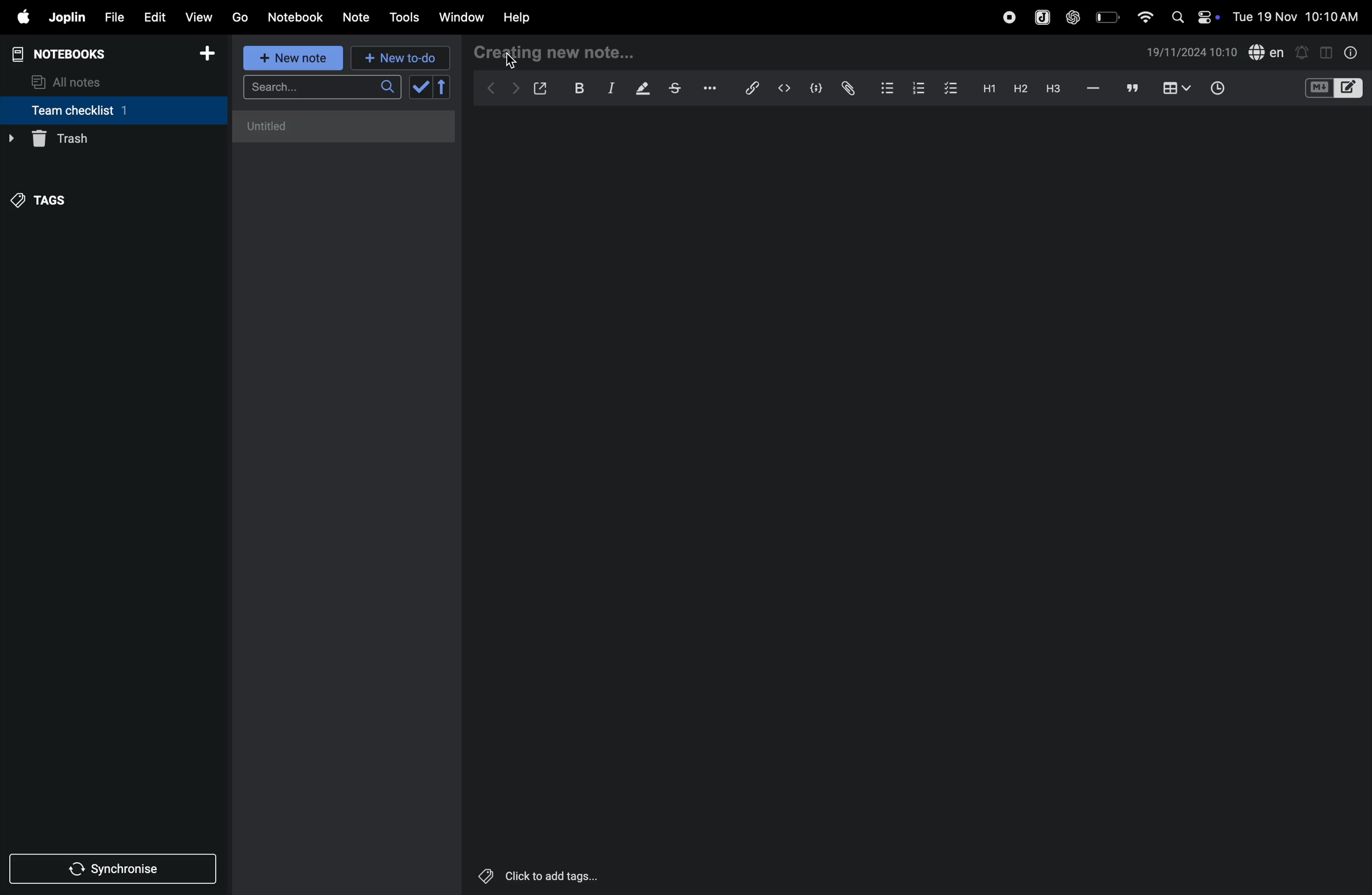  What do you see at coordinates (916, 87) in the screenshot?
I see `numbered list` at bounding box center [916, 87].